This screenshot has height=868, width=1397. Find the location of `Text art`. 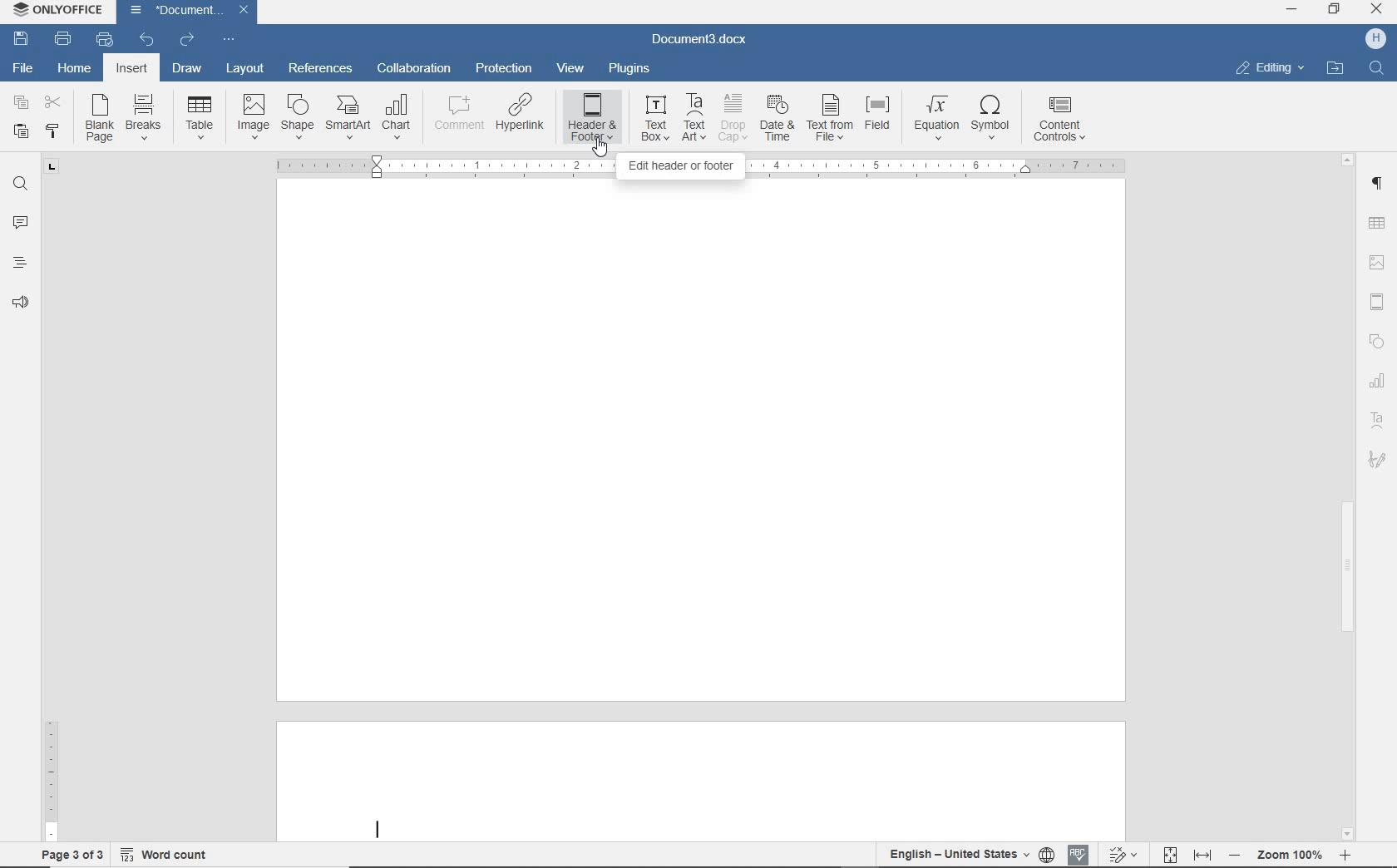

Text art is located at coordinates (1378, 419).